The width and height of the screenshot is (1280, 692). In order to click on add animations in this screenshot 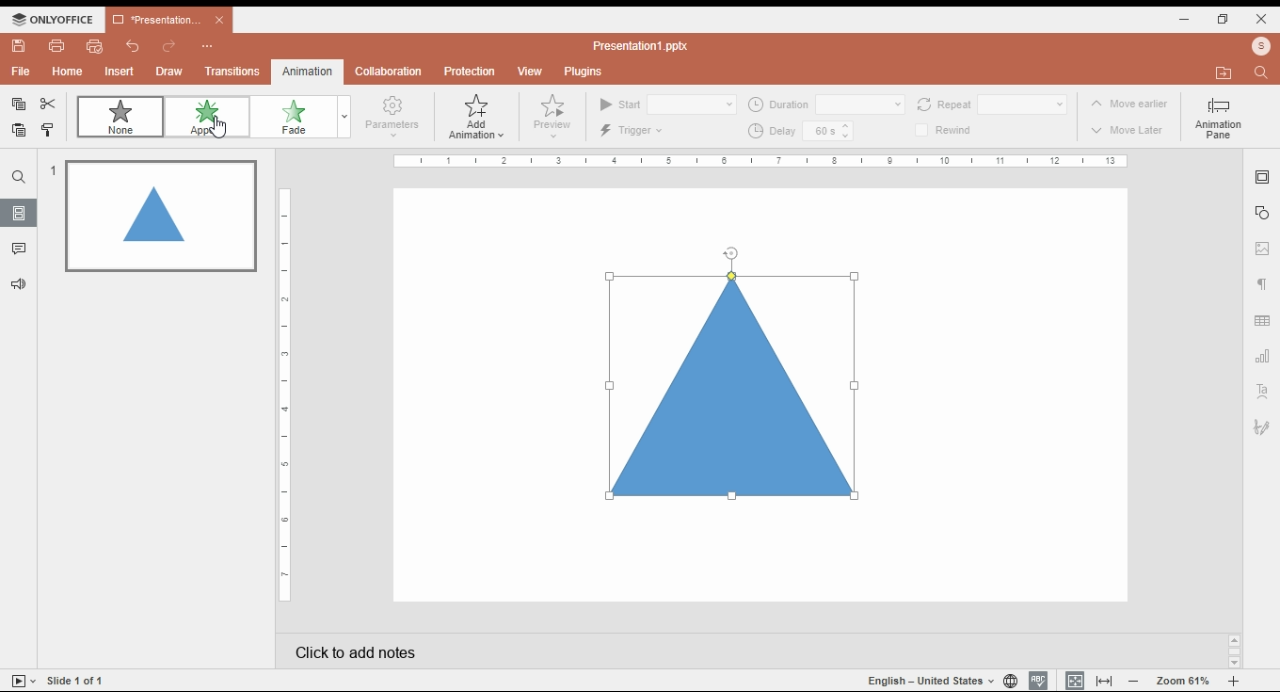, I will do `click(483, 120)`.